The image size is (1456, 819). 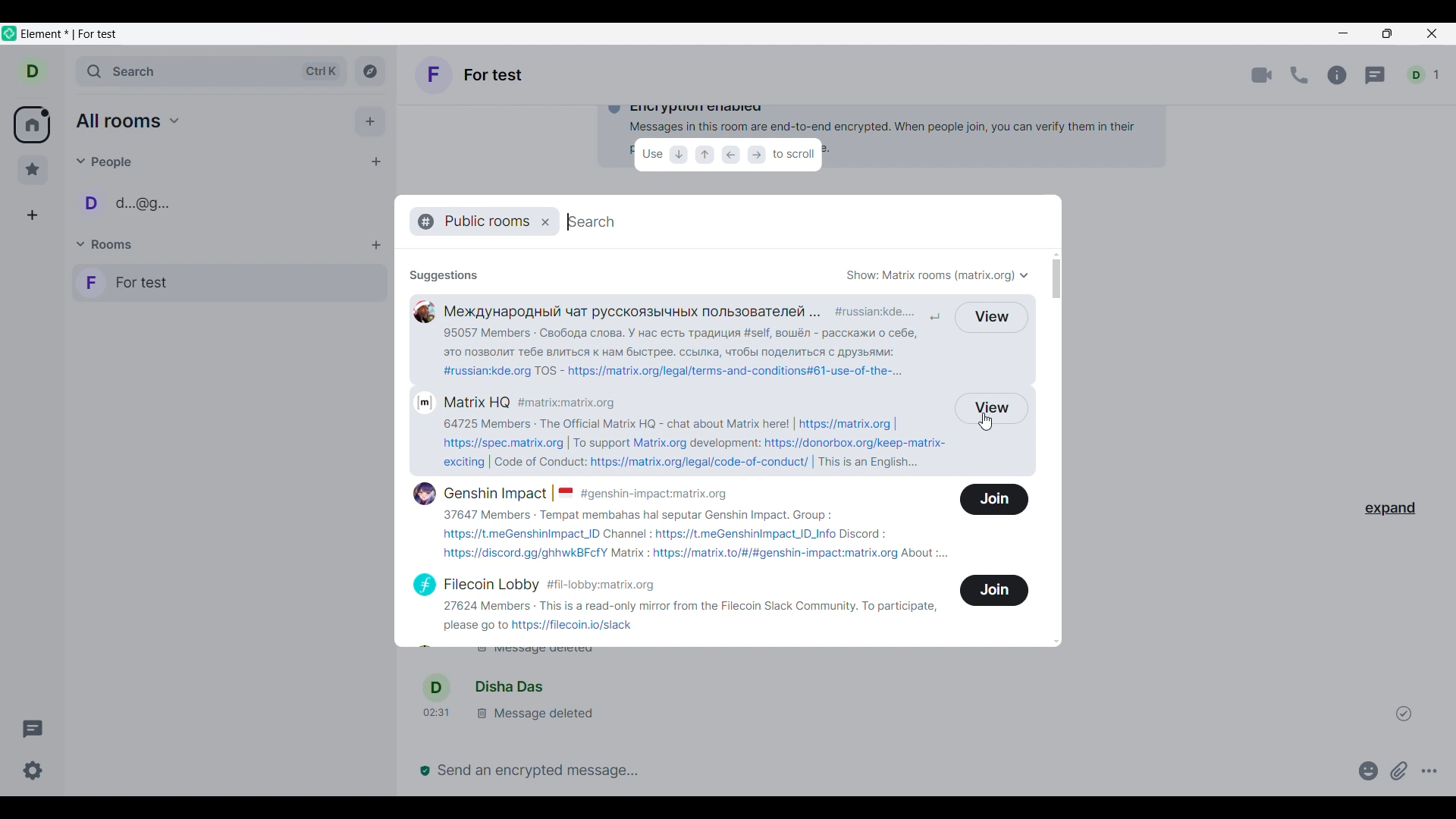 What do you see at coordinates (694, 108) in the screenshot?
I see `Encryption enabled` at bounding box center [694, 108].